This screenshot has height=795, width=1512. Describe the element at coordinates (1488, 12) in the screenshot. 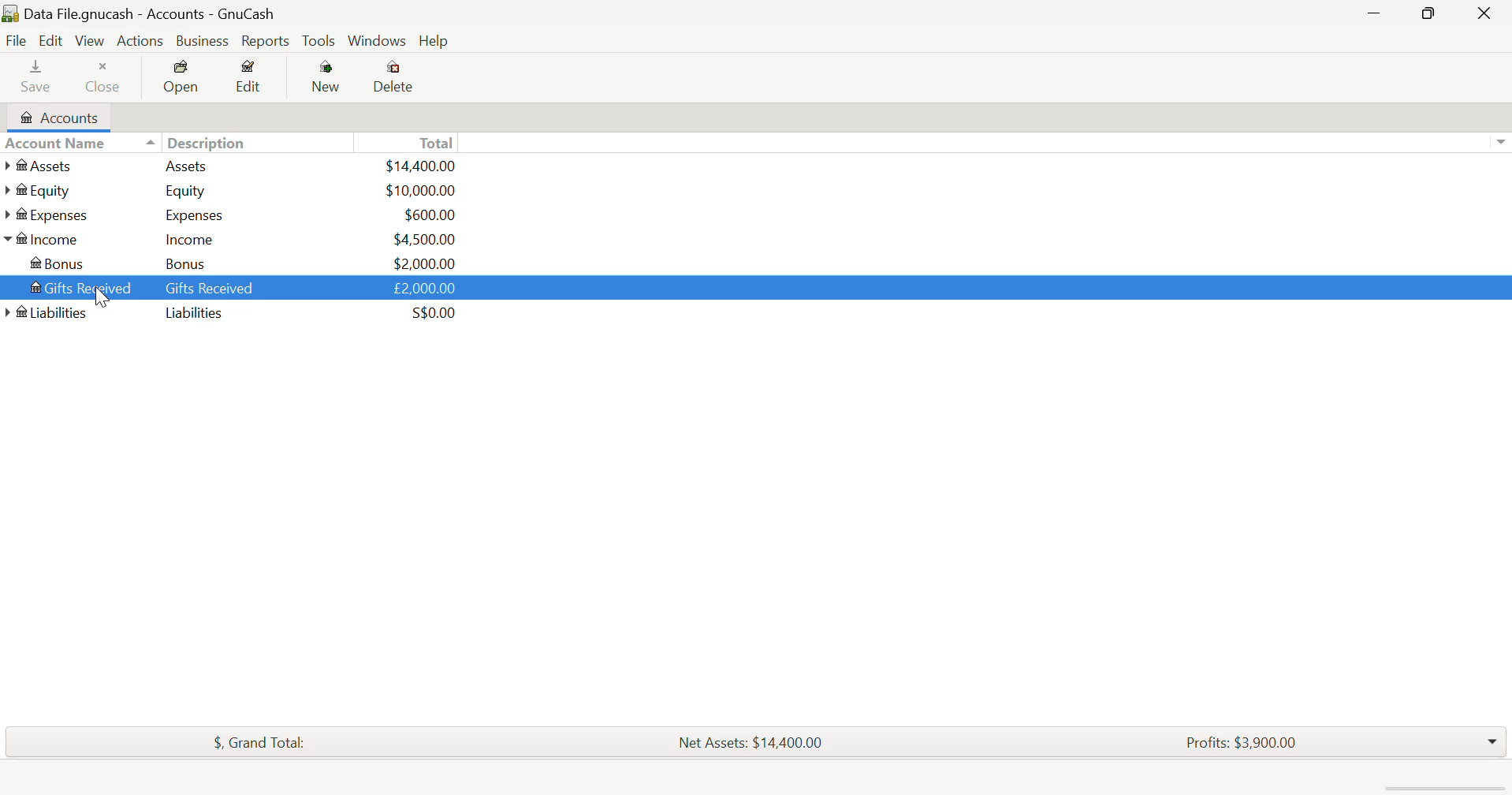

I see `Close Window` at that location.